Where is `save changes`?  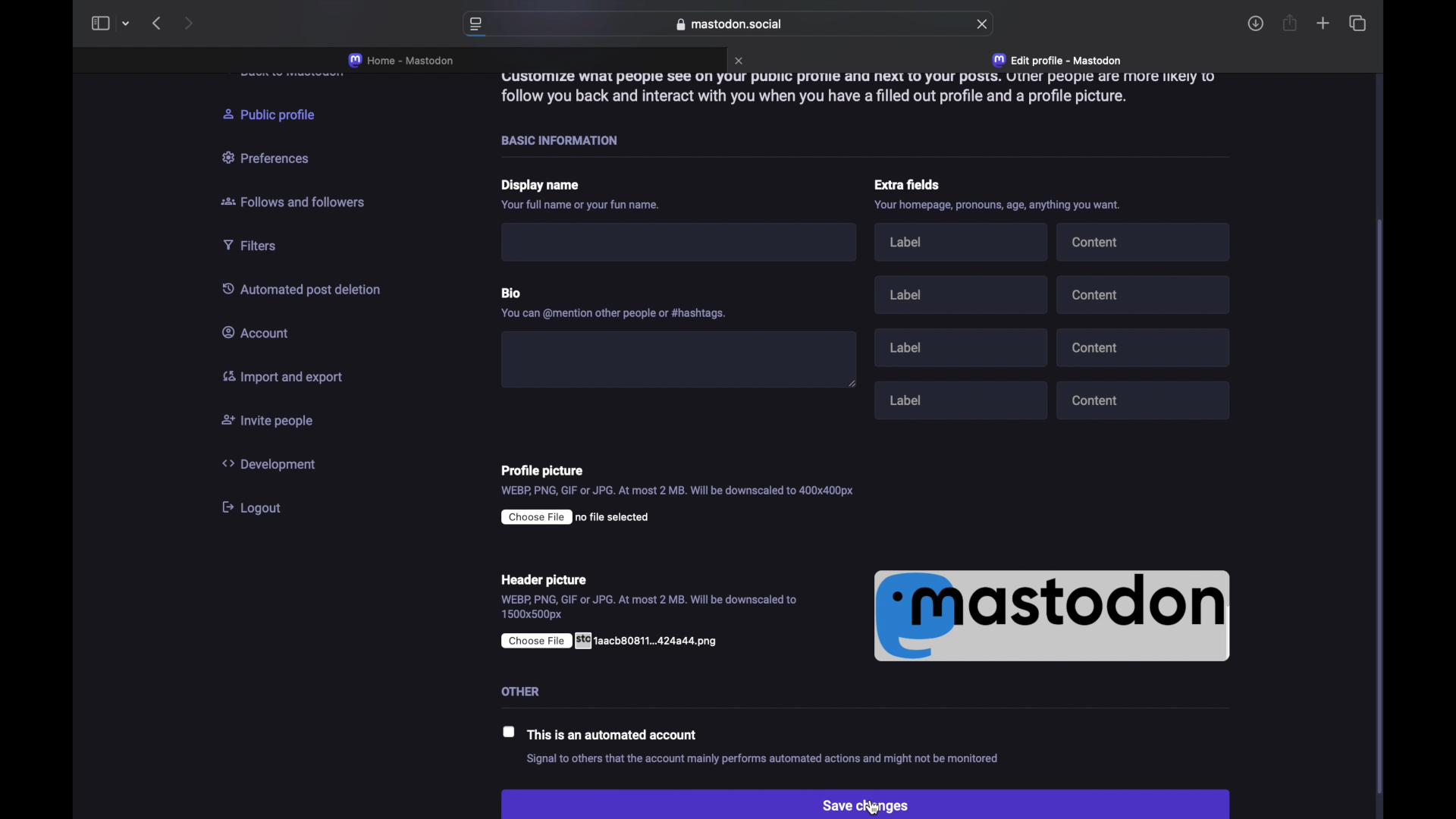 save changes is located at coordinates (864, 802).